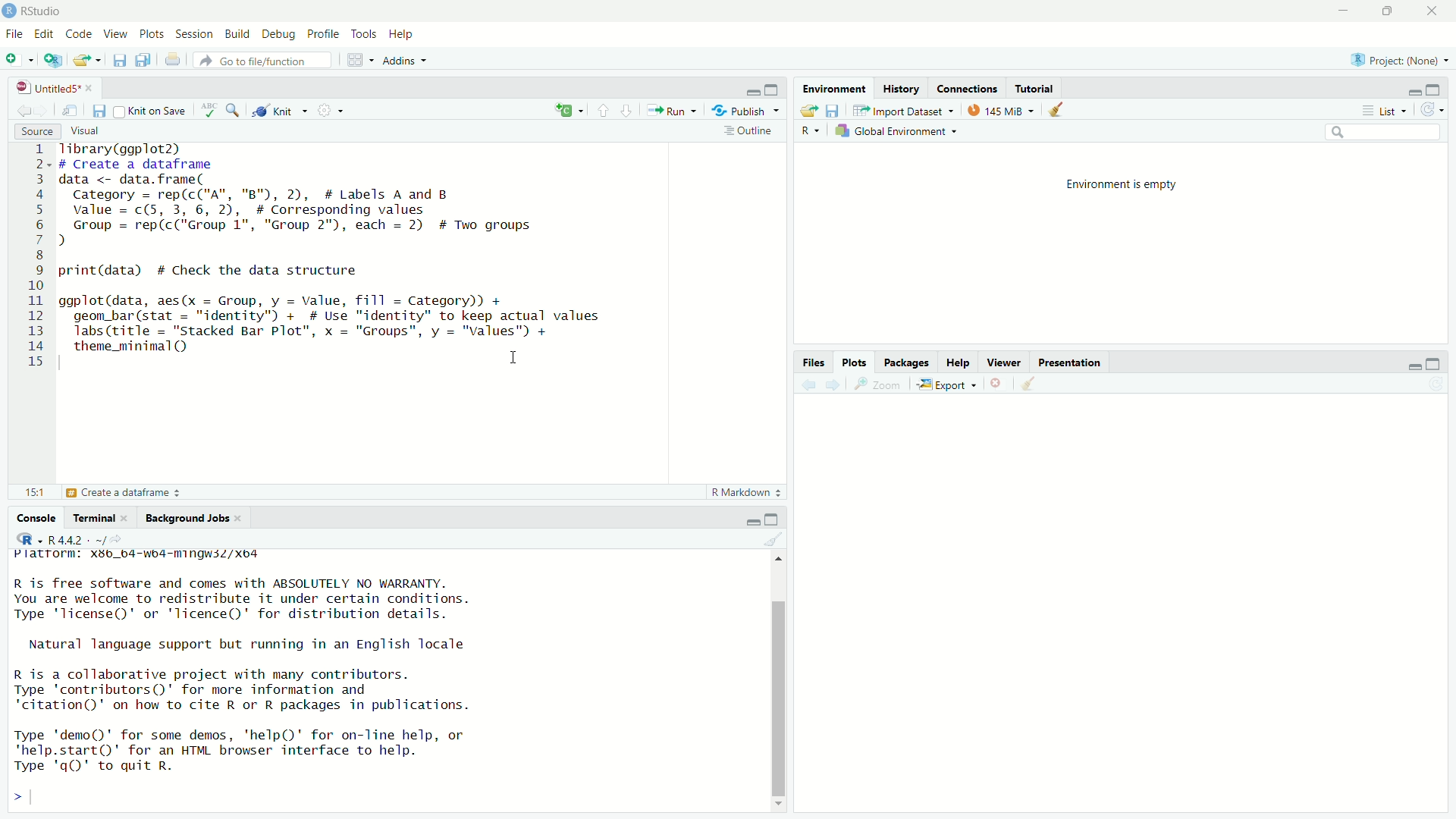 The height and width of the screenshot is (819, 1456). Describe the element at coordinates (1070, 362) in the screenshot. I see `Presentation` at that location.